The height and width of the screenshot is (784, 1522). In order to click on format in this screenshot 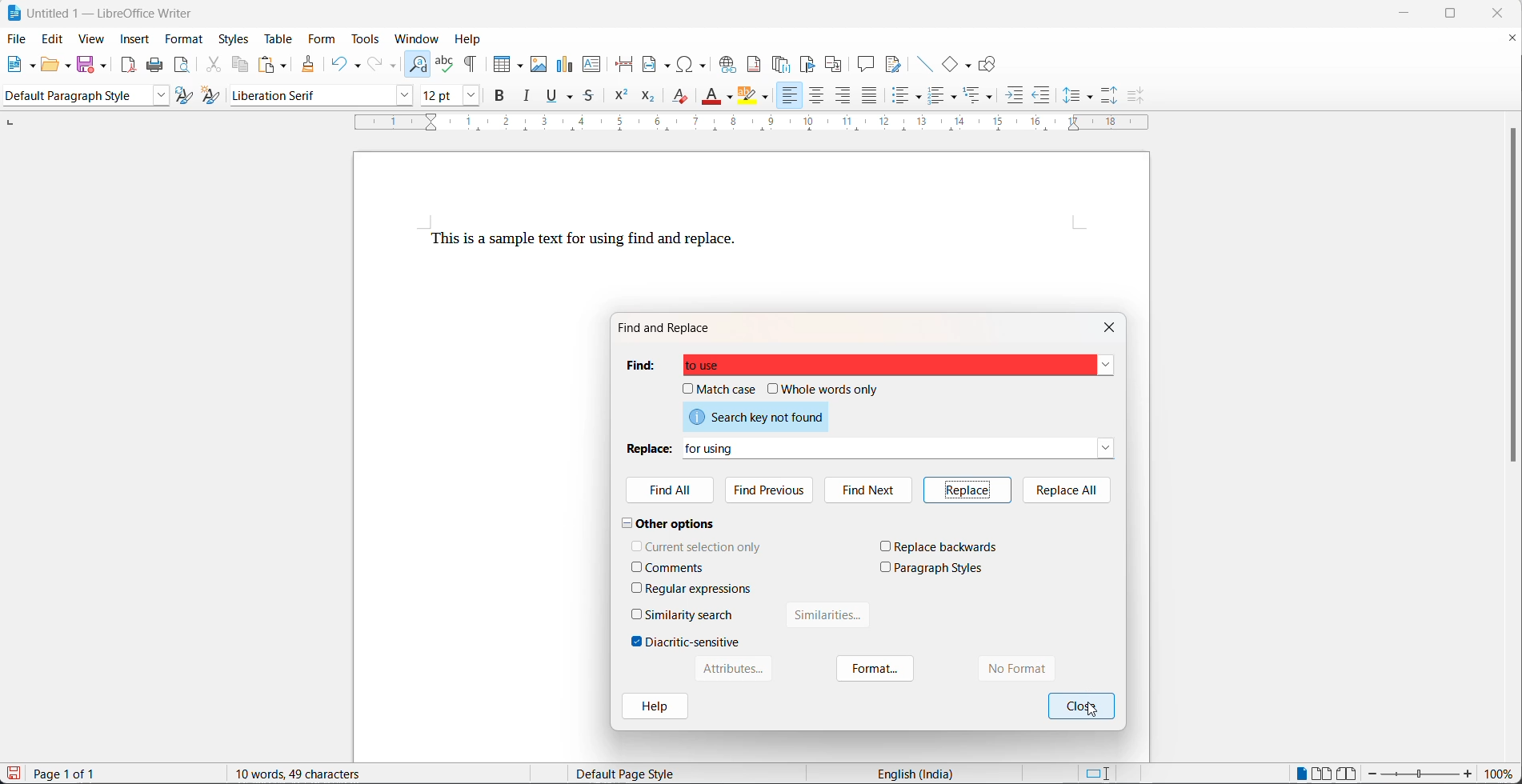, I will do `click(876, 670)`.